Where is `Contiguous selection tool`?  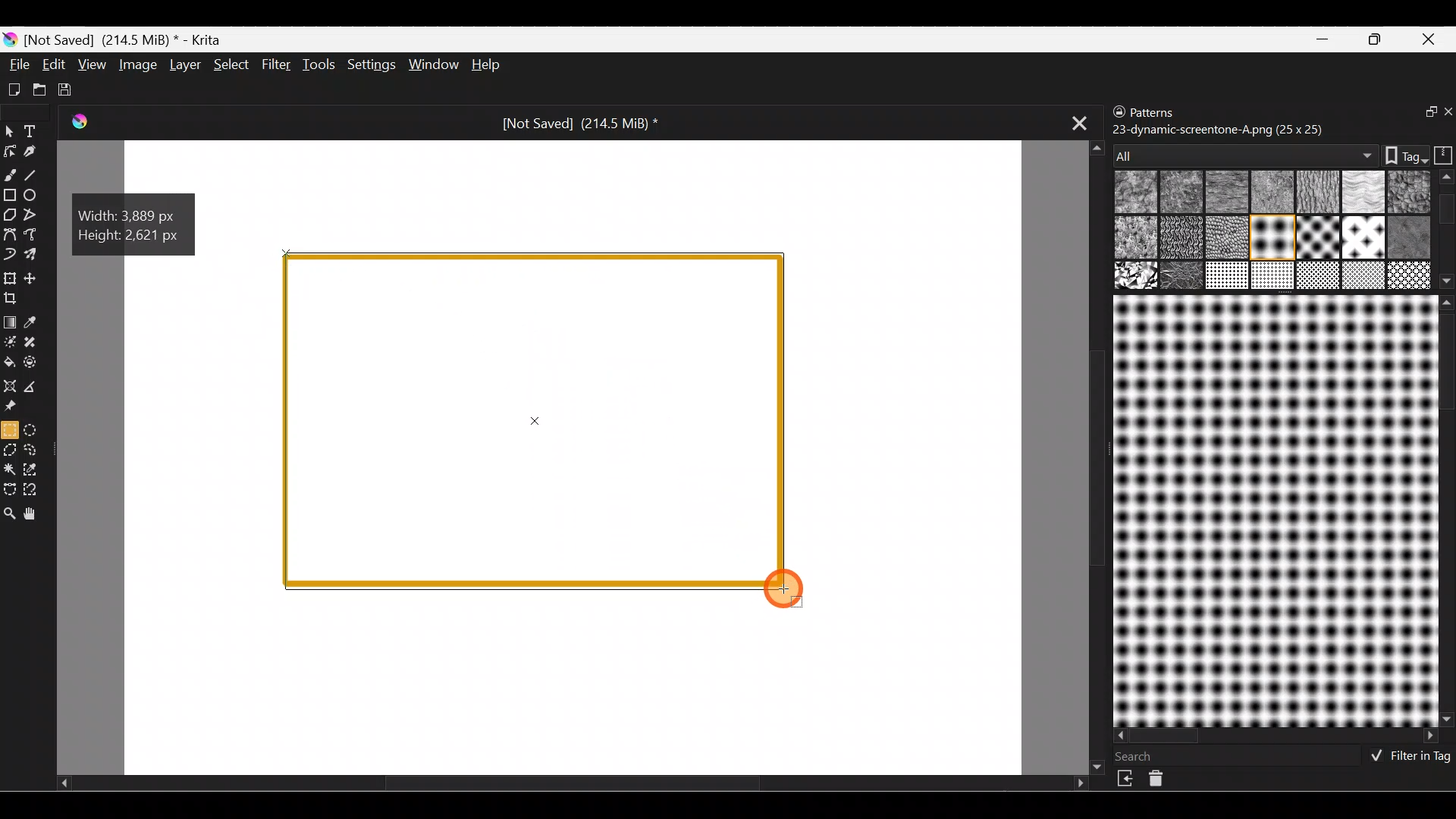
Contiguous selection tool is located at coordinates (11, 470).